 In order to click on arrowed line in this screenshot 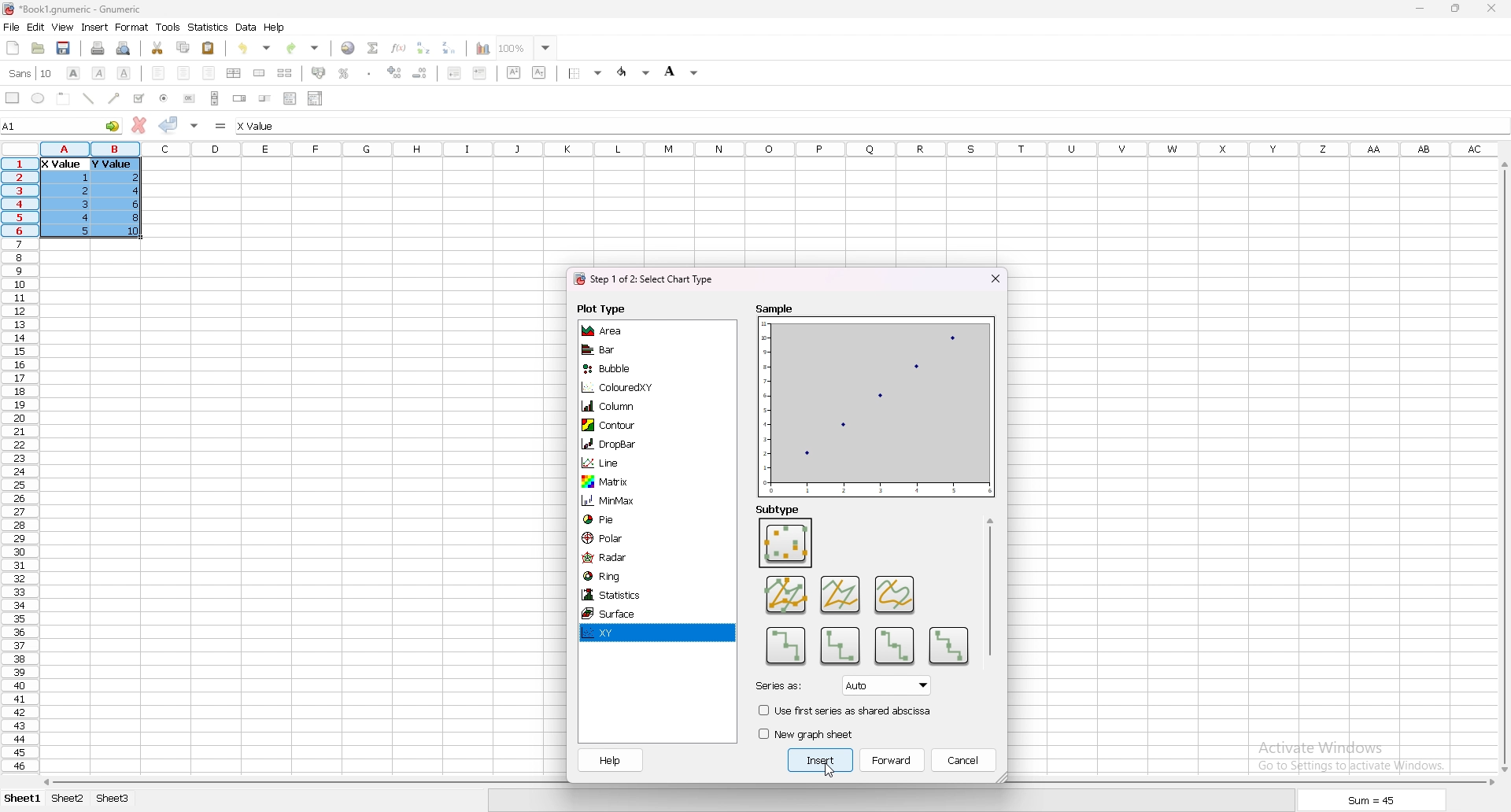, I will do `click(115, 98)`.